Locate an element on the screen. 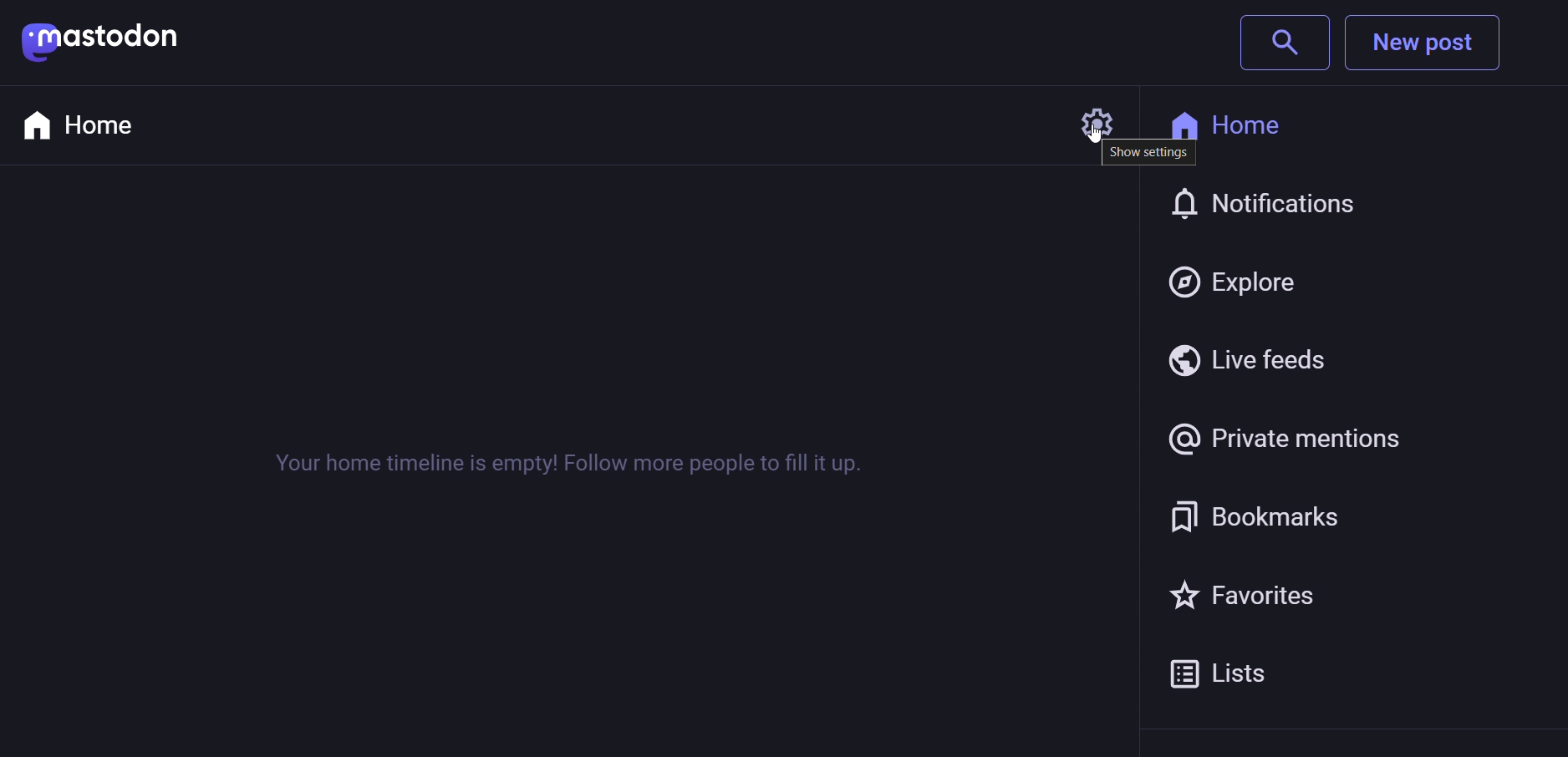 Image resolution: width=1568 pixels, height=757 pixels. show setting is located at coordinates (1147, 154).